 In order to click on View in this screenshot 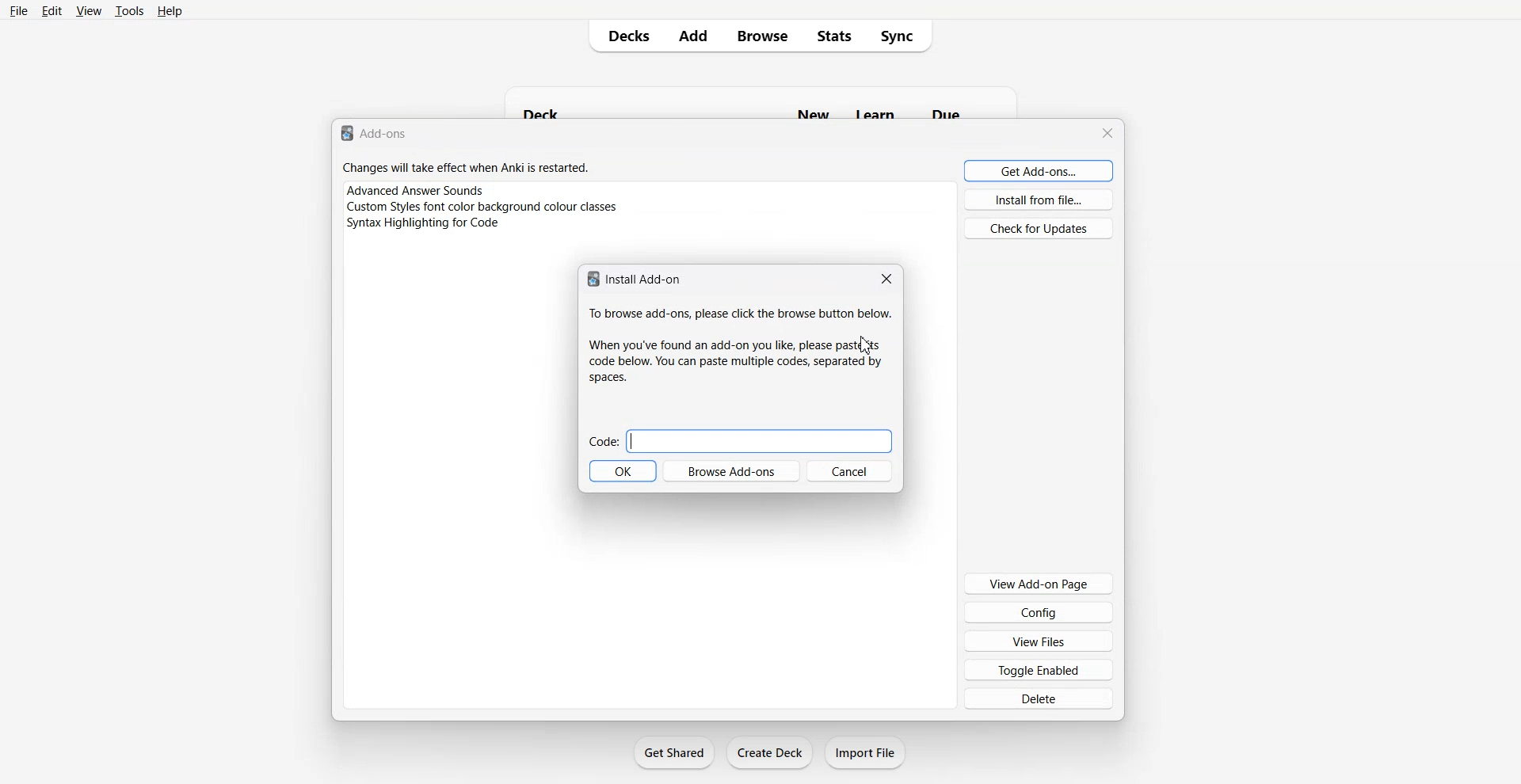, I will do `click(87, 10)`.